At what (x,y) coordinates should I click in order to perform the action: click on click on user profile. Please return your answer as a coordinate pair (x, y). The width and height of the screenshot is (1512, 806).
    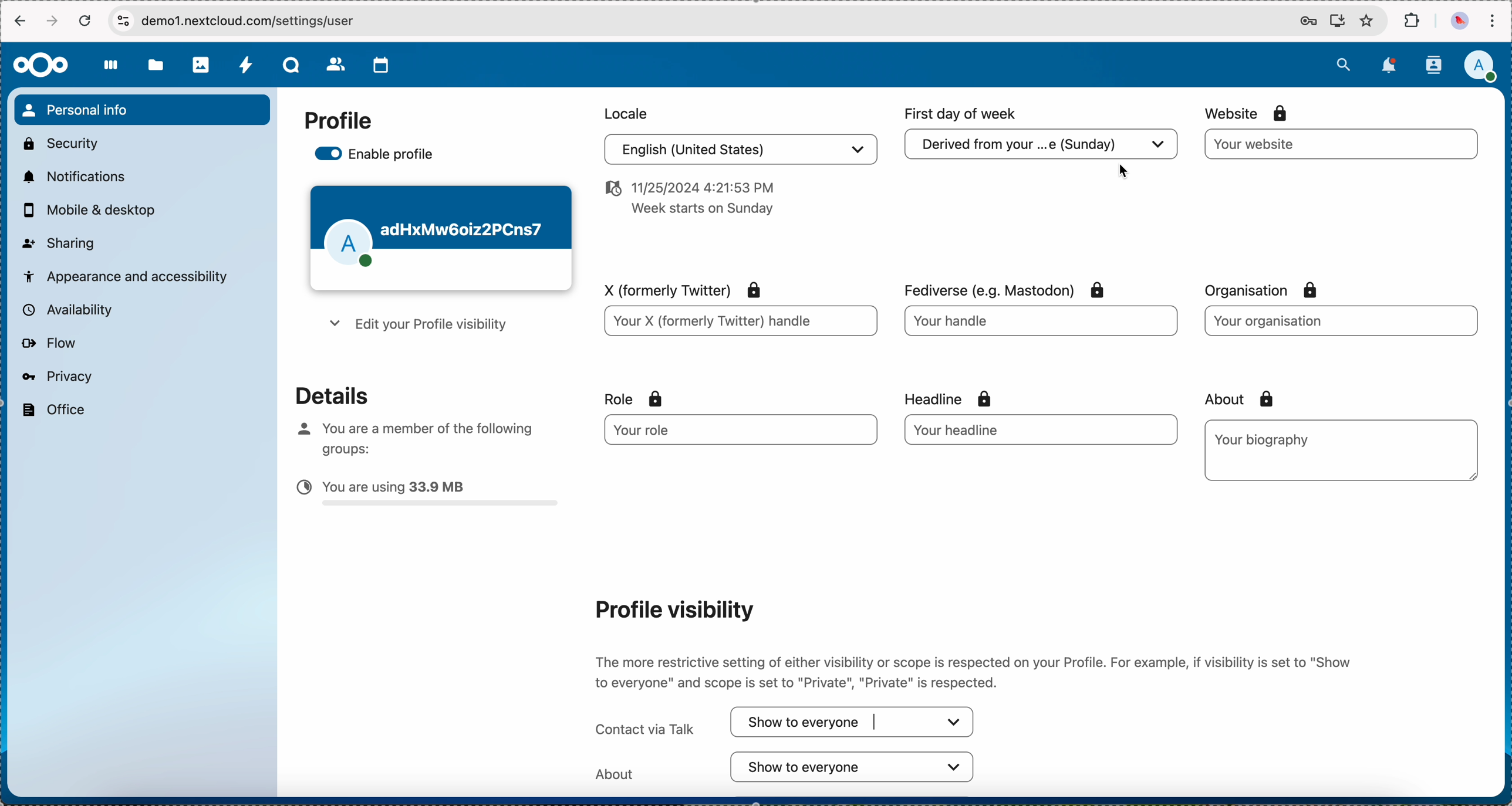
    Looking at the image, I should click on (1484, 67).